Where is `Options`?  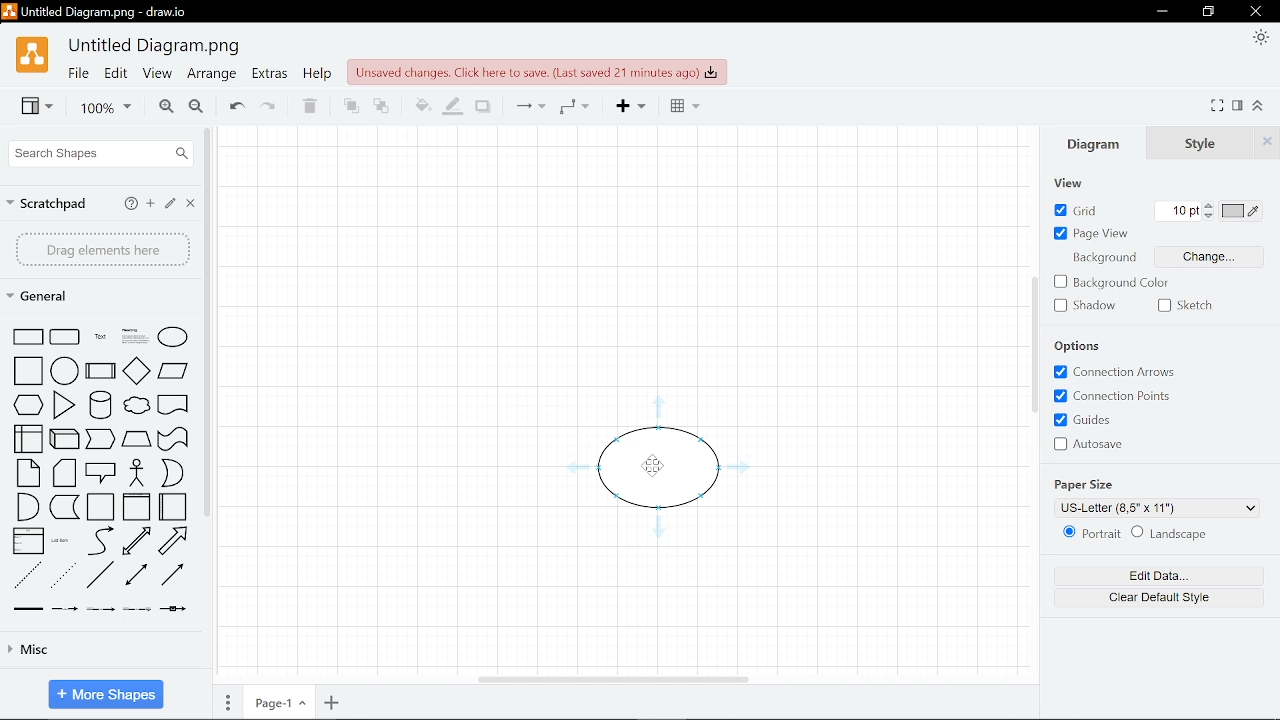 Options is located at coordinates (1086, 346).